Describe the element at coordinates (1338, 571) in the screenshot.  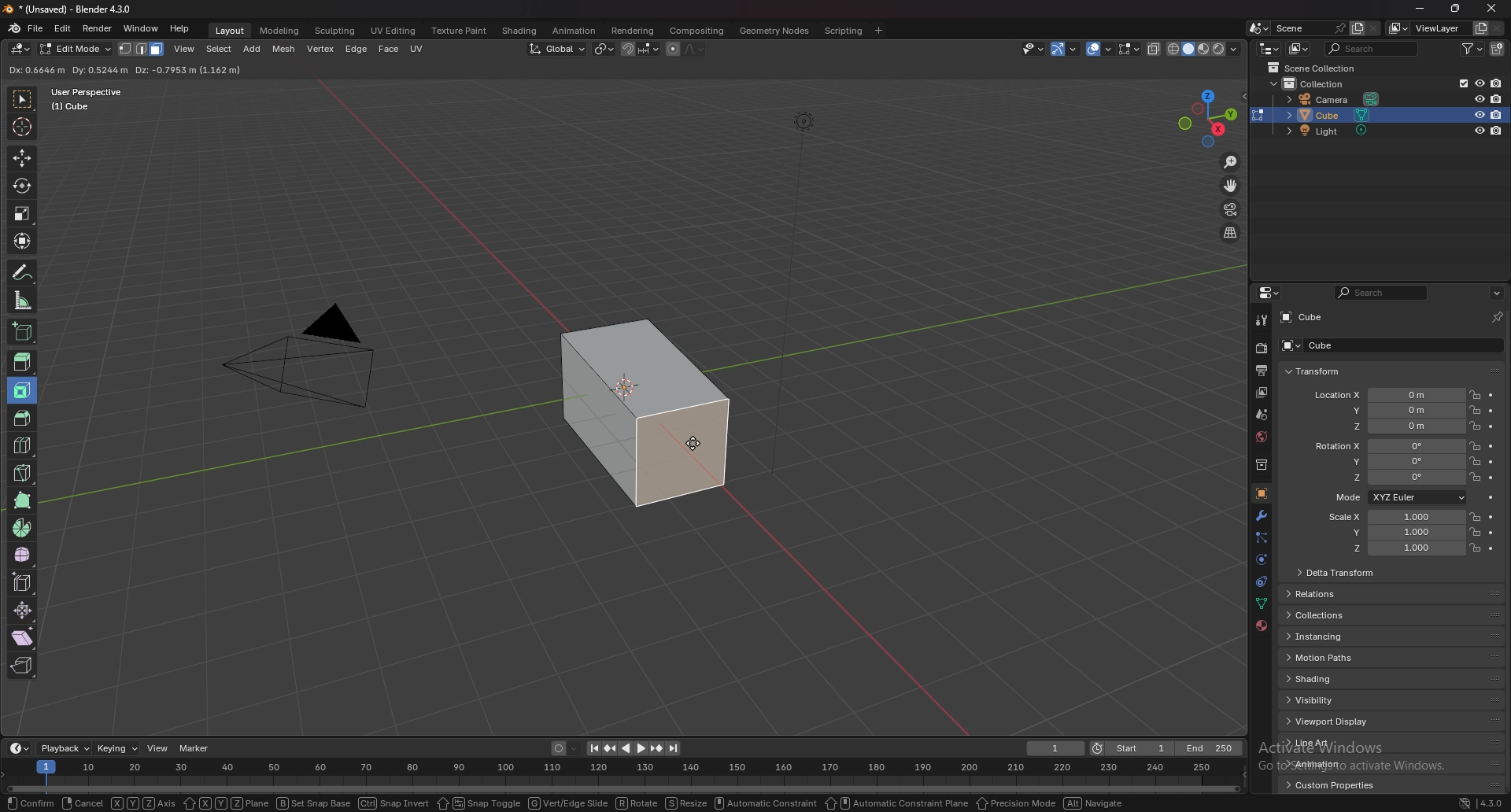
I see `delta transform` at that location.